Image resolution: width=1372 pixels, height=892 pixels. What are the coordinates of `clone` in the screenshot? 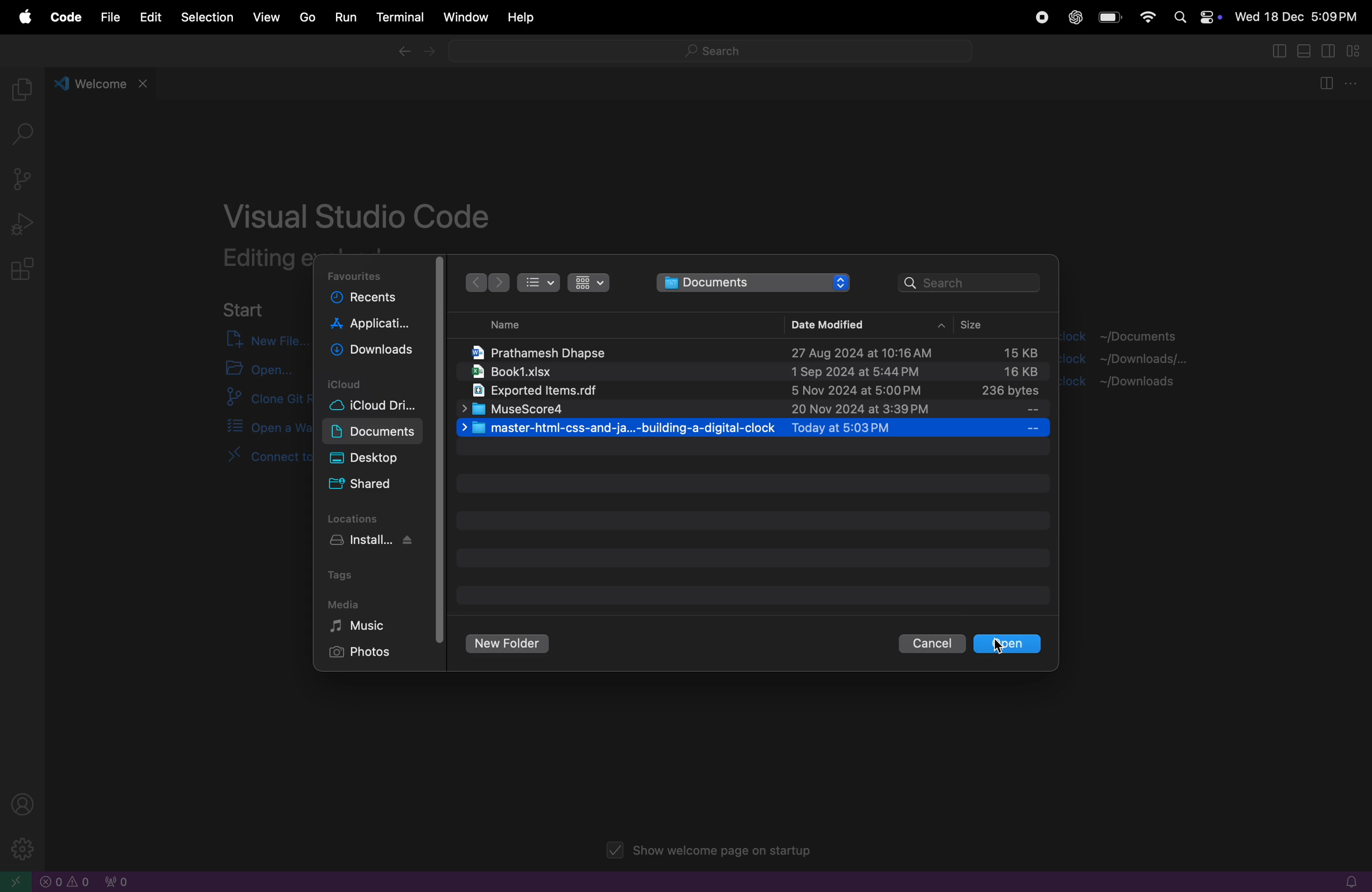 It's located at (257, 400).